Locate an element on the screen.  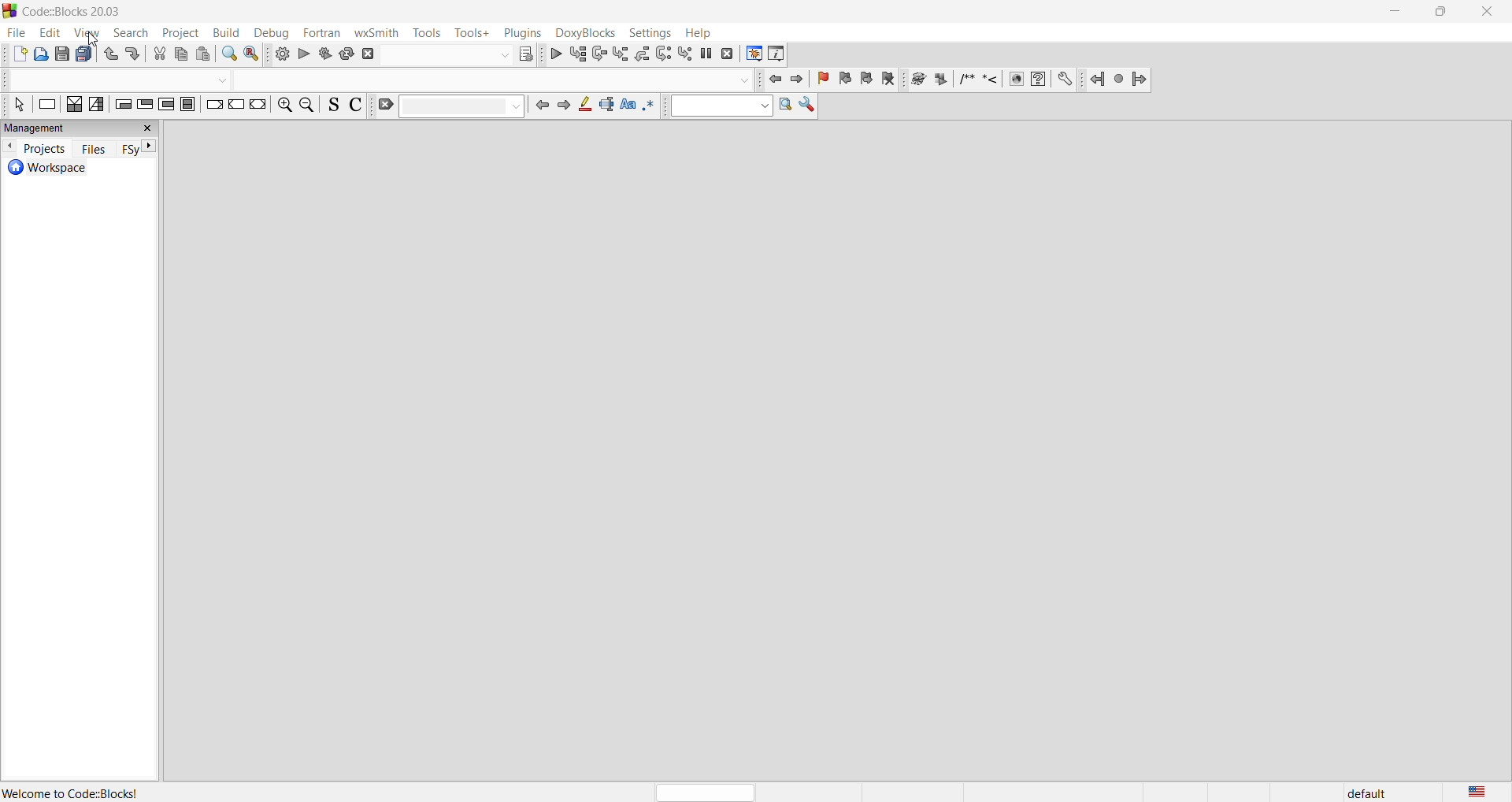
language is located at coordinates (1488, 793).